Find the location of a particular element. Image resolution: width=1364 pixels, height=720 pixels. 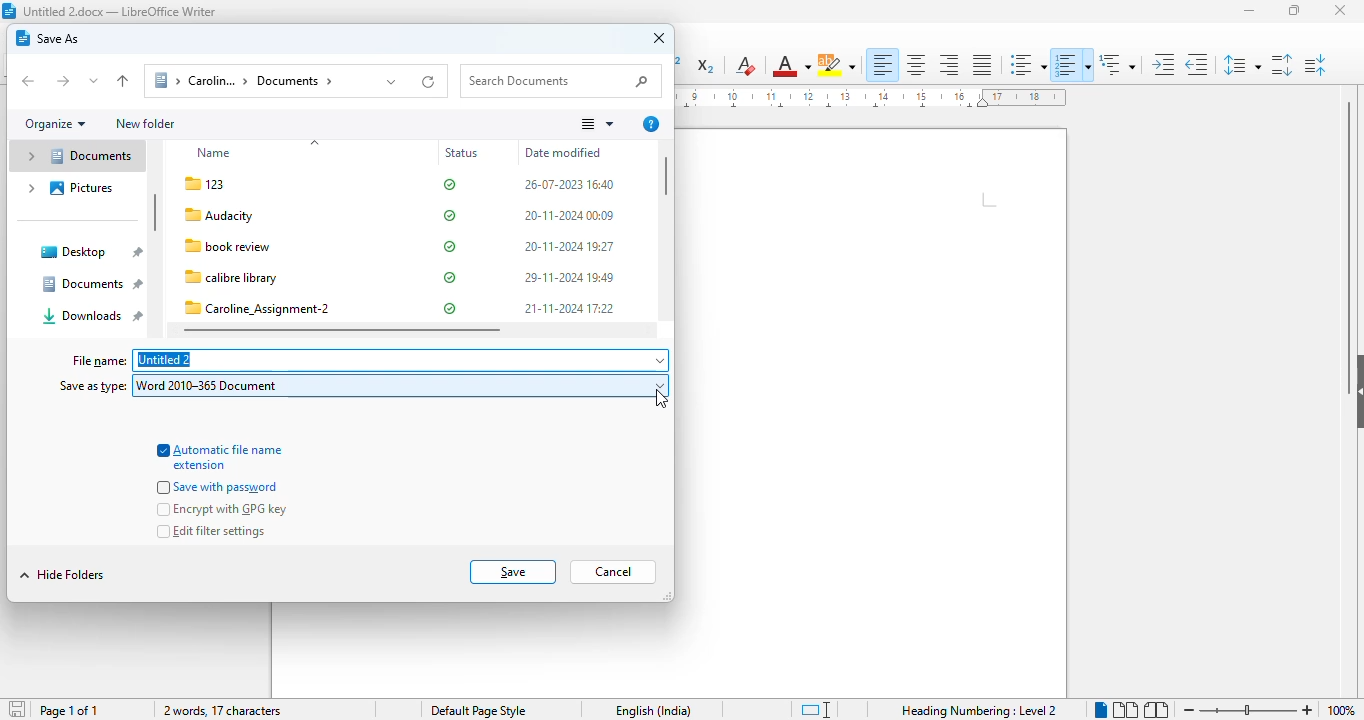

encrypt with GPG key is located at coordinates (223, 510).